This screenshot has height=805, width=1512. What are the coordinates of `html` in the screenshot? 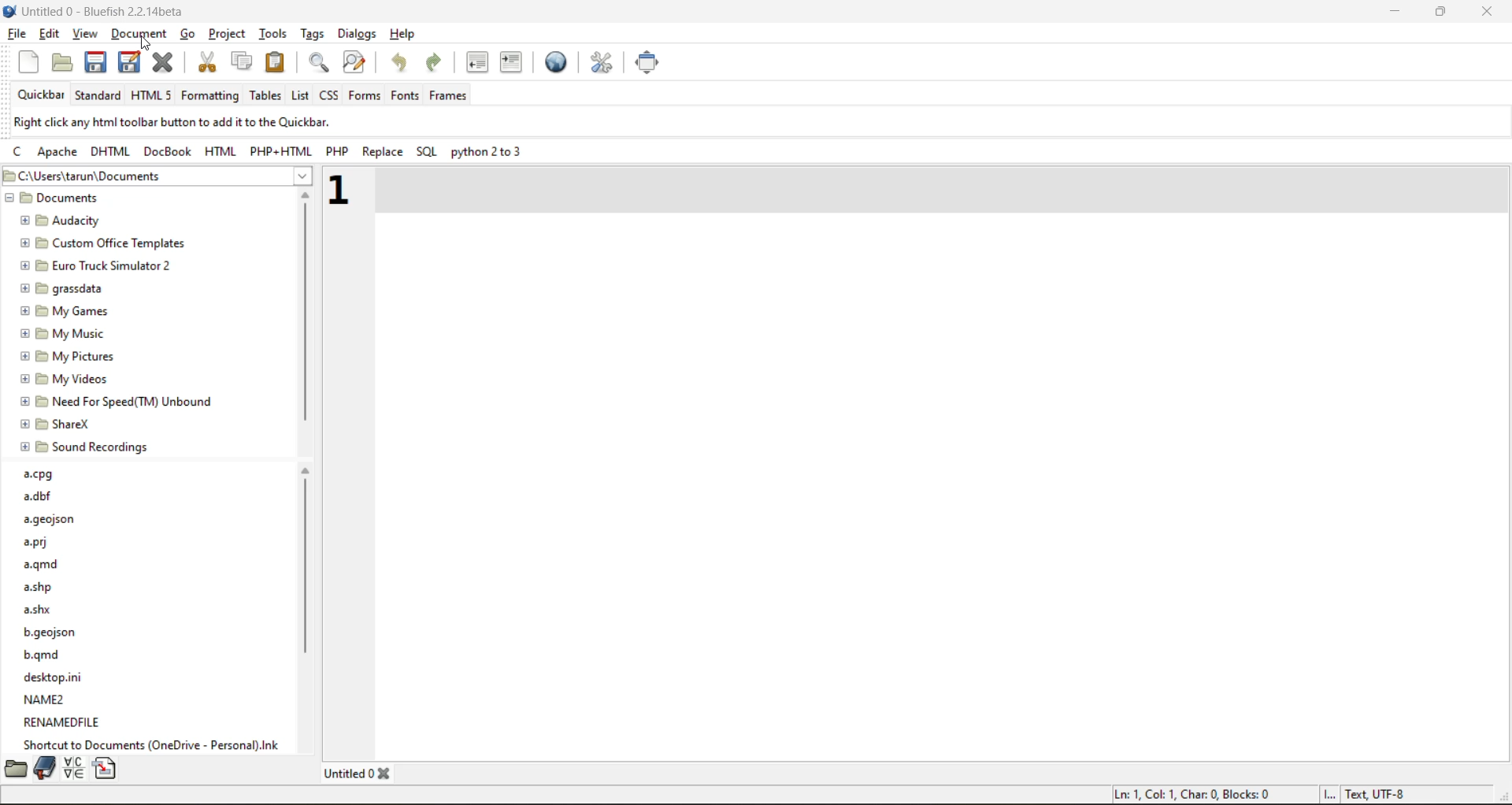 It's located at (114, 150).